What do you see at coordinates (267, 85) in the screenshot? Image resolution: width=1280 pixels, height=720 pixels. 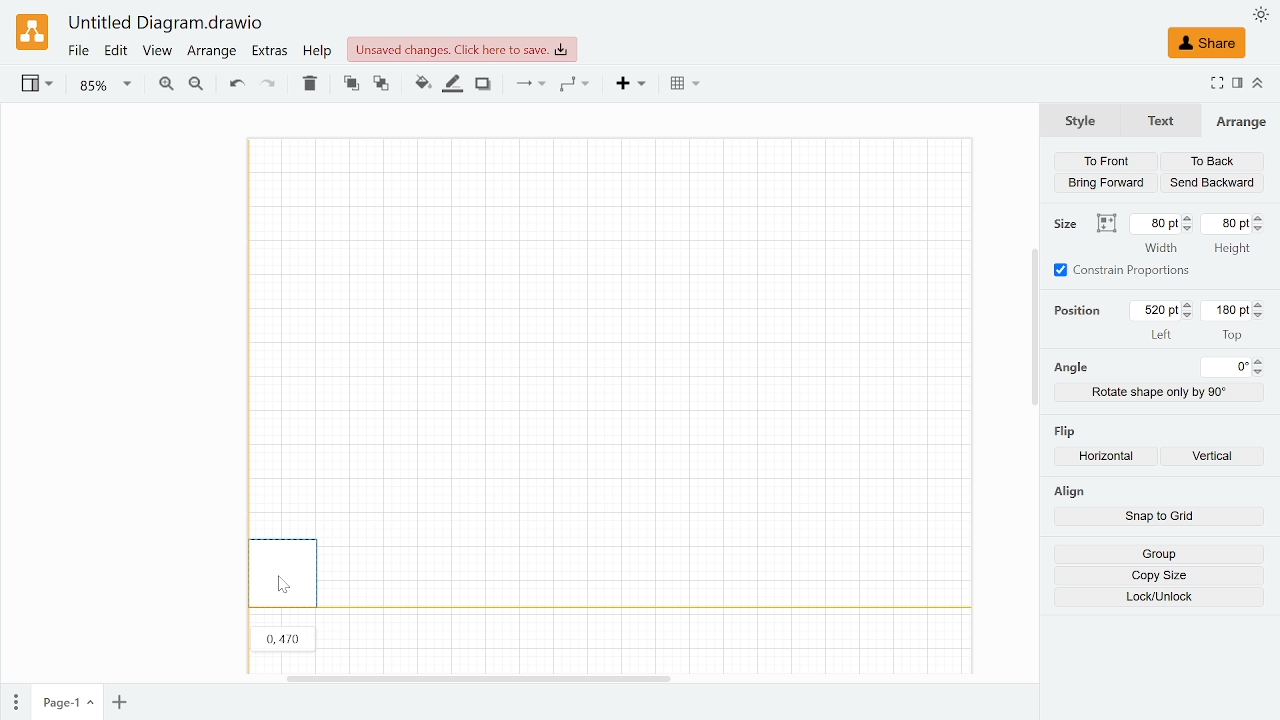 I see `Redo` at bounding box center [267, 85].